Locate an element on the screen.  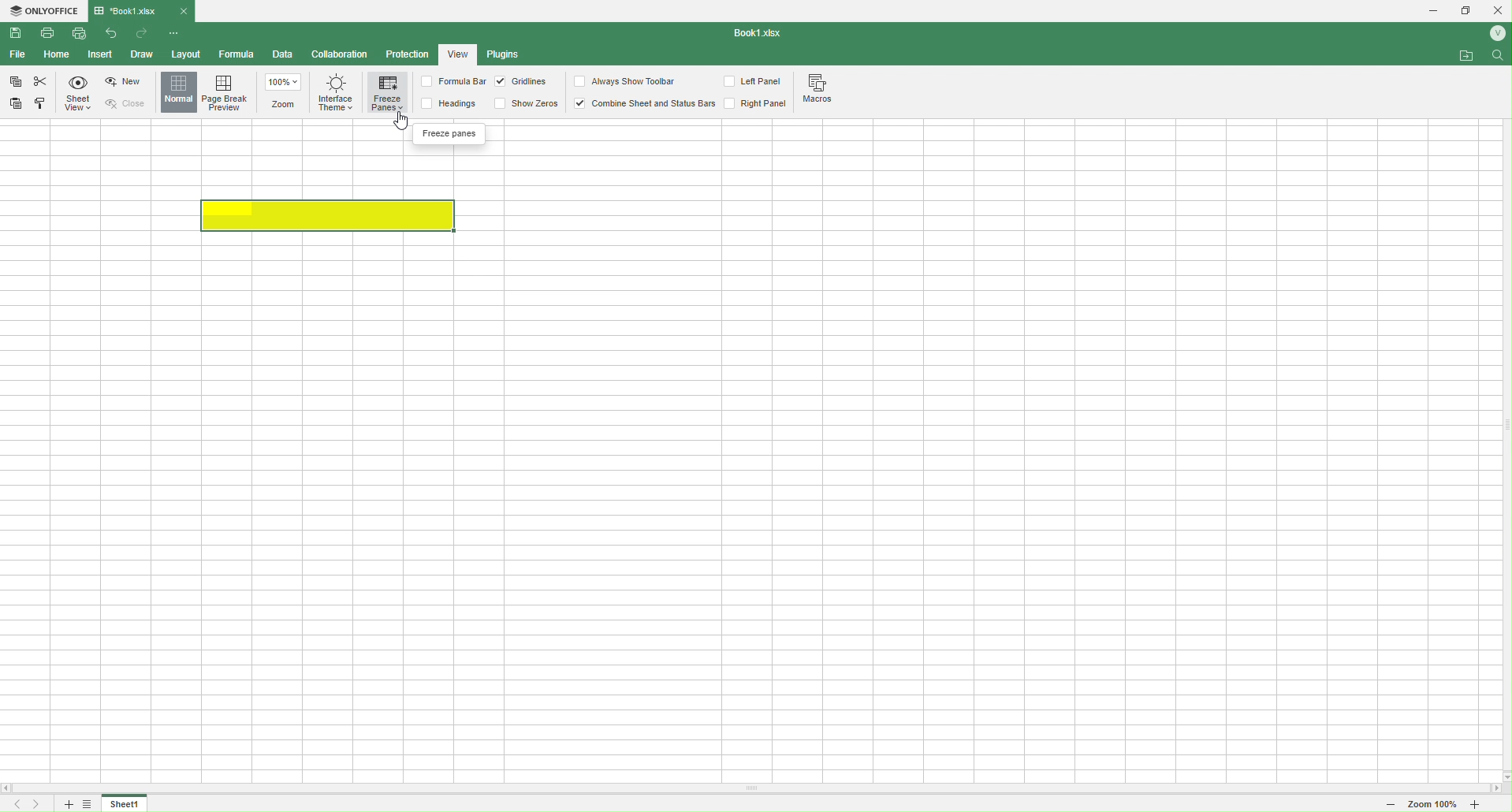
Find is located at coordinates (1499, 58).